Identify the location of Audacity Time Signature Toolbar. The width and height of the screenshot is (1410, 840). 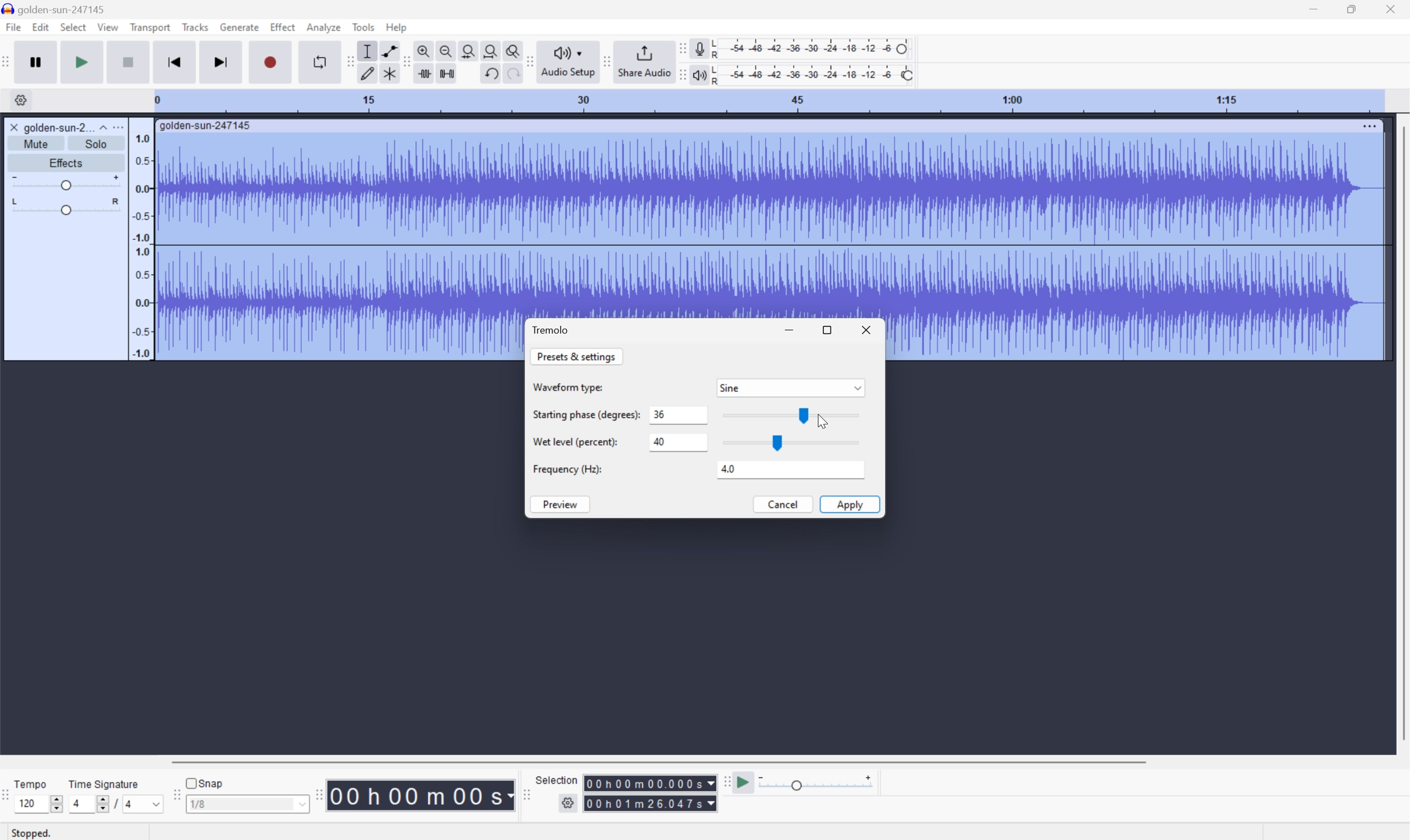
(9, 798).